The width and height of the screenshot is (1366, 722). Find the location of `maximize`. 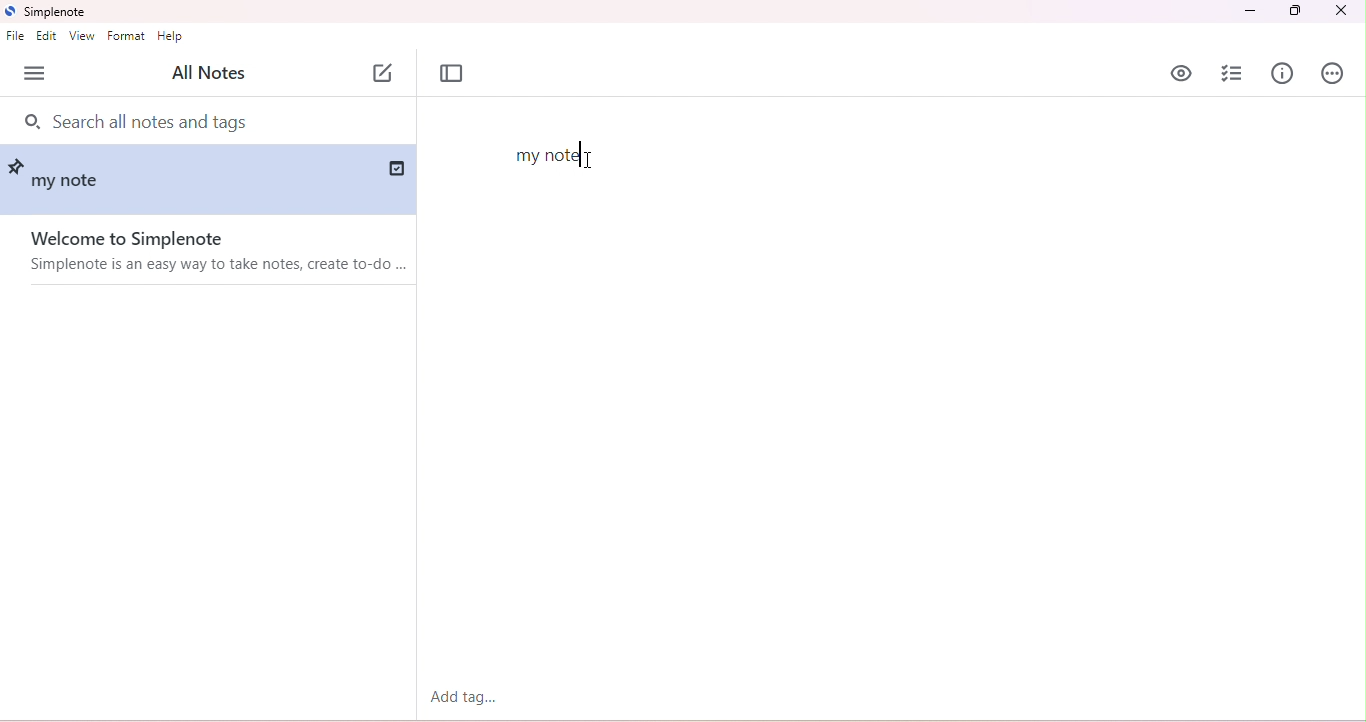

maximize is located at coordinates (1296, 11).